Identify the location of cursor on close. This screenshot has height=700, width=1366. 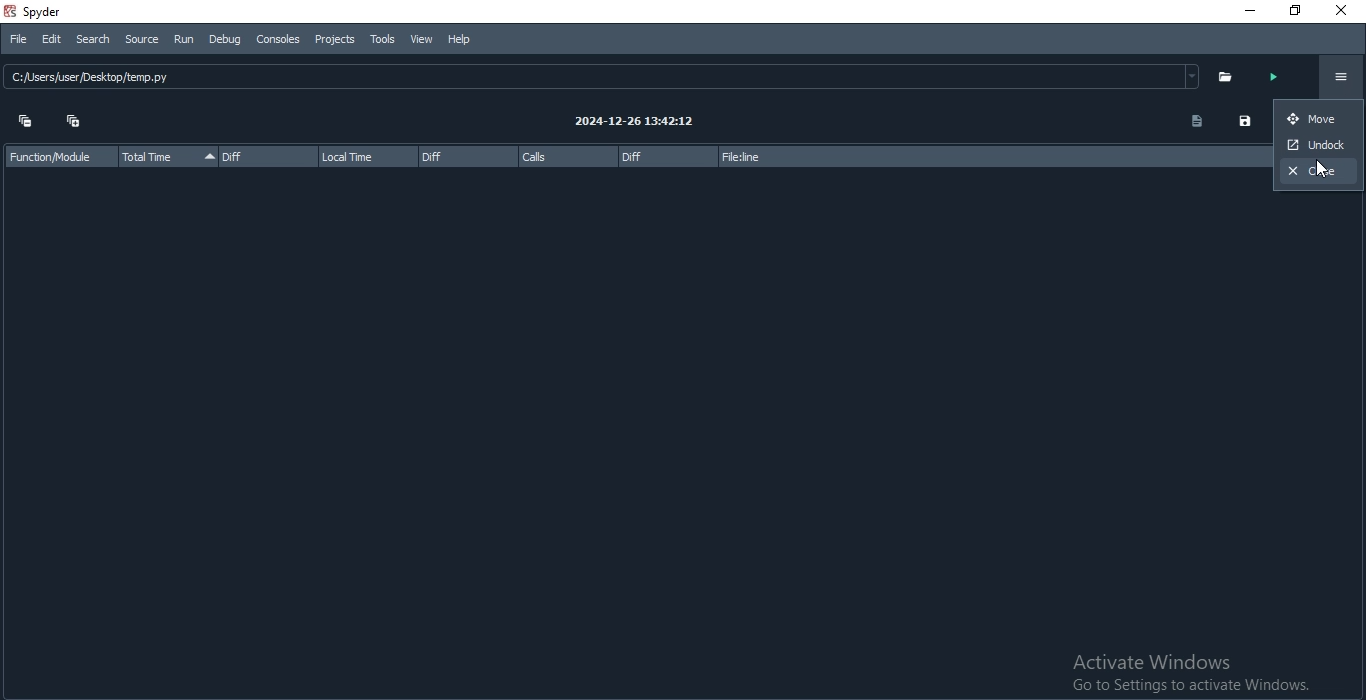
(1323, 170).